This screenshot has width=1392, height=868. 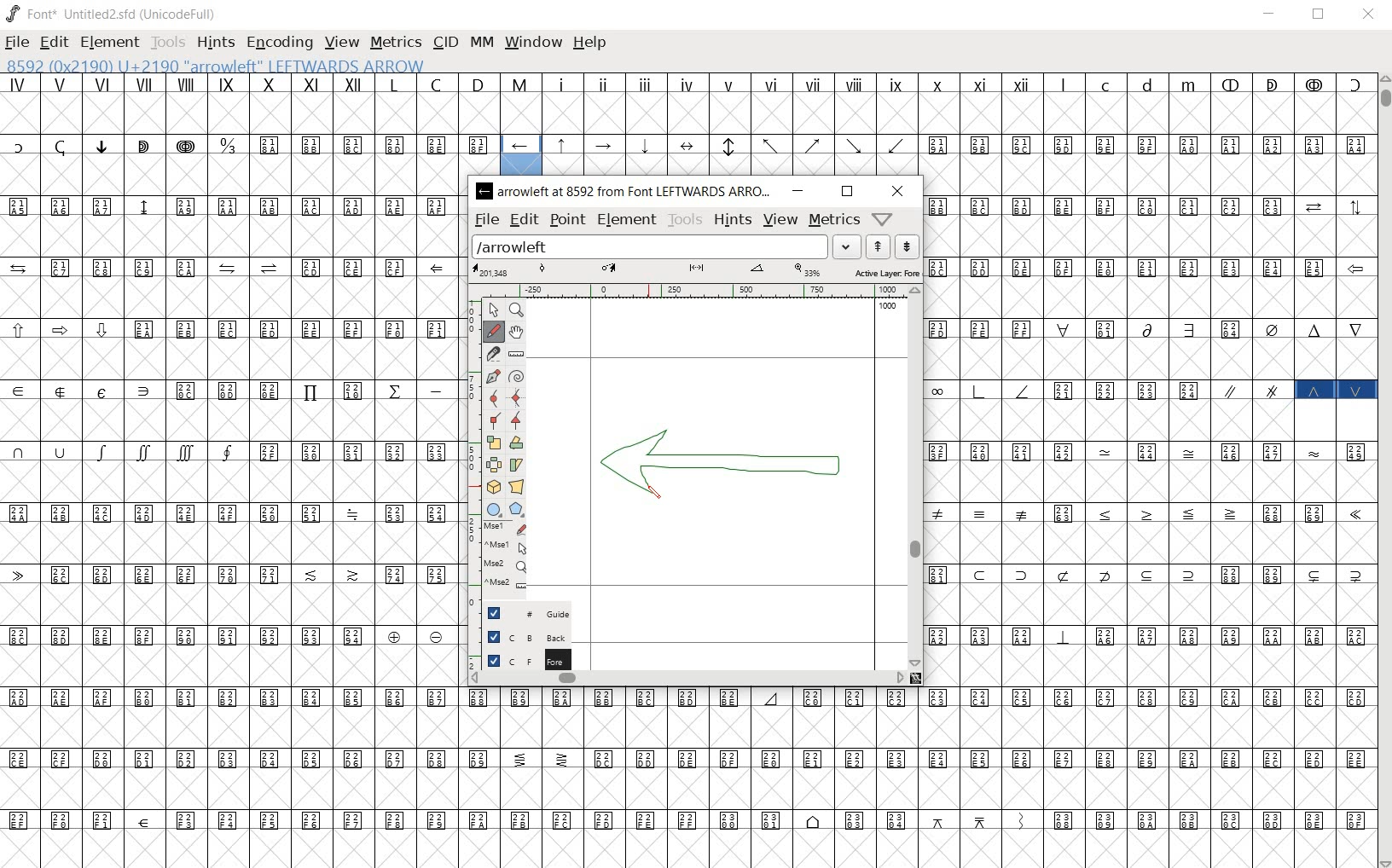 What do you see at coordinates (493, 331) in the screenshot?
I see `draw a freehand curve` at bounding box center [493, 331].